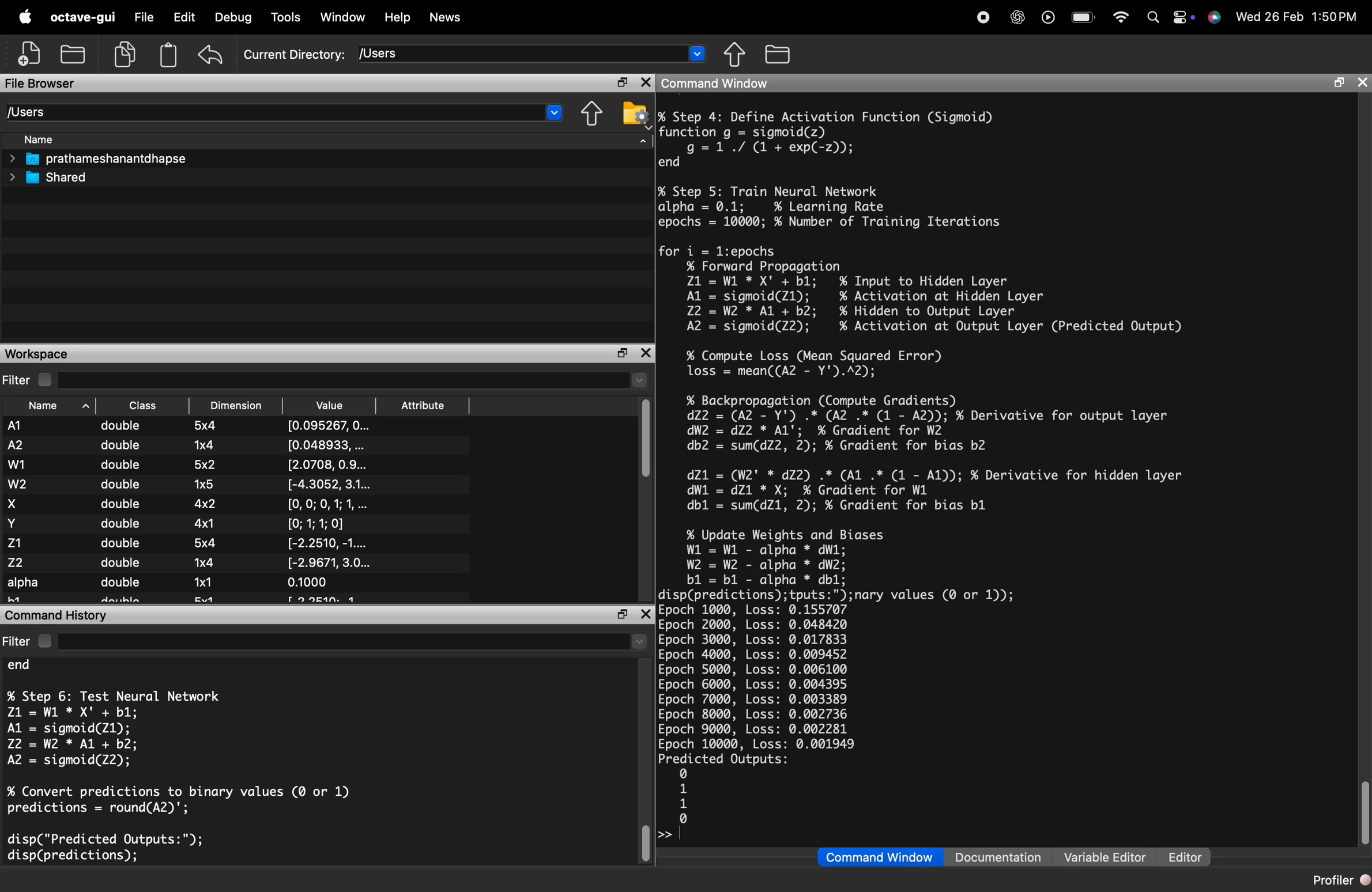  Describe the element at coordinates (235, 17) in the screenshot. I see `Debug` at that location.